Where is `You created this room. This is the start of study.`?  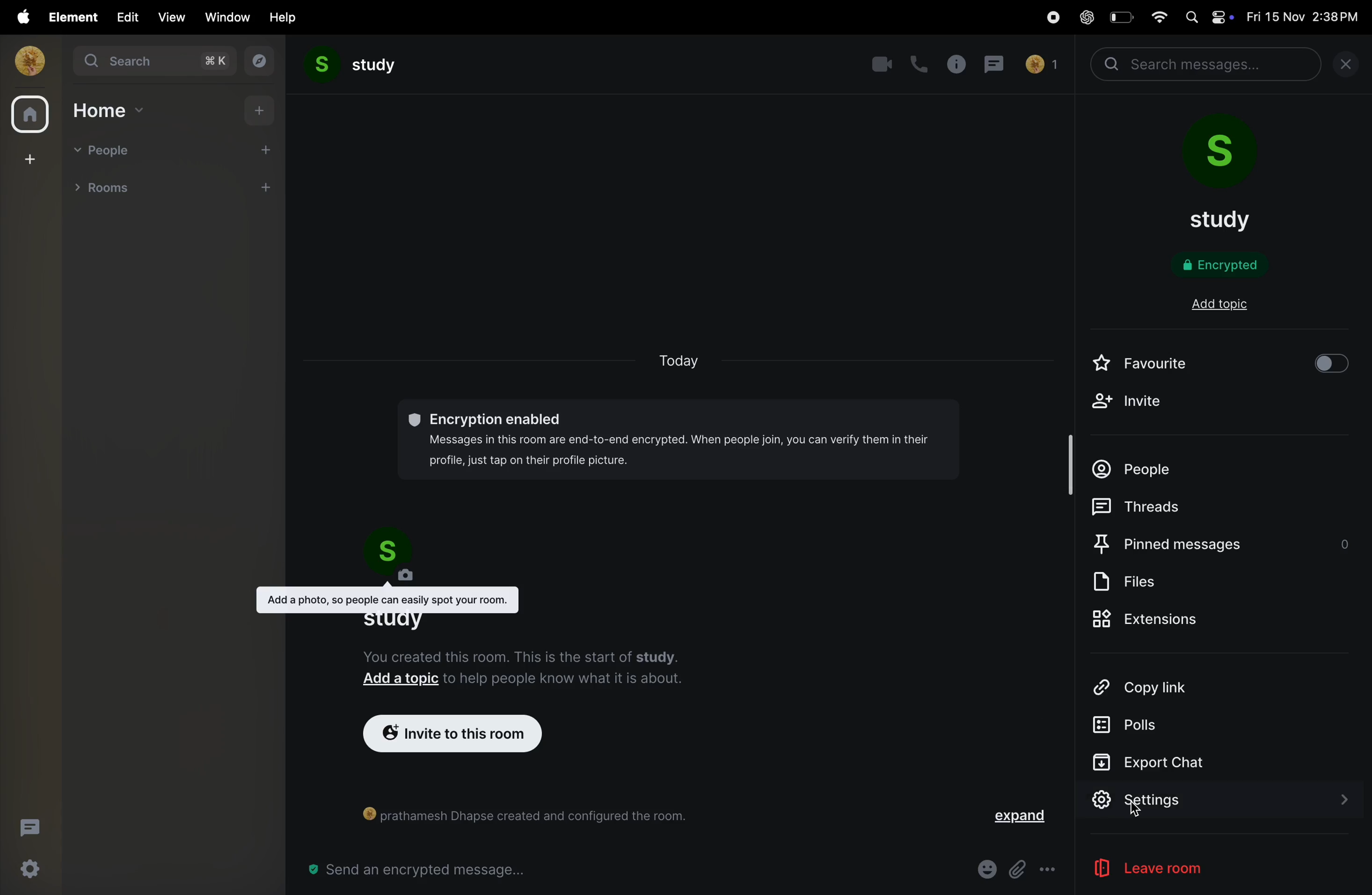
You created this room. This is the start of study. is located at coordinates (526, 655).